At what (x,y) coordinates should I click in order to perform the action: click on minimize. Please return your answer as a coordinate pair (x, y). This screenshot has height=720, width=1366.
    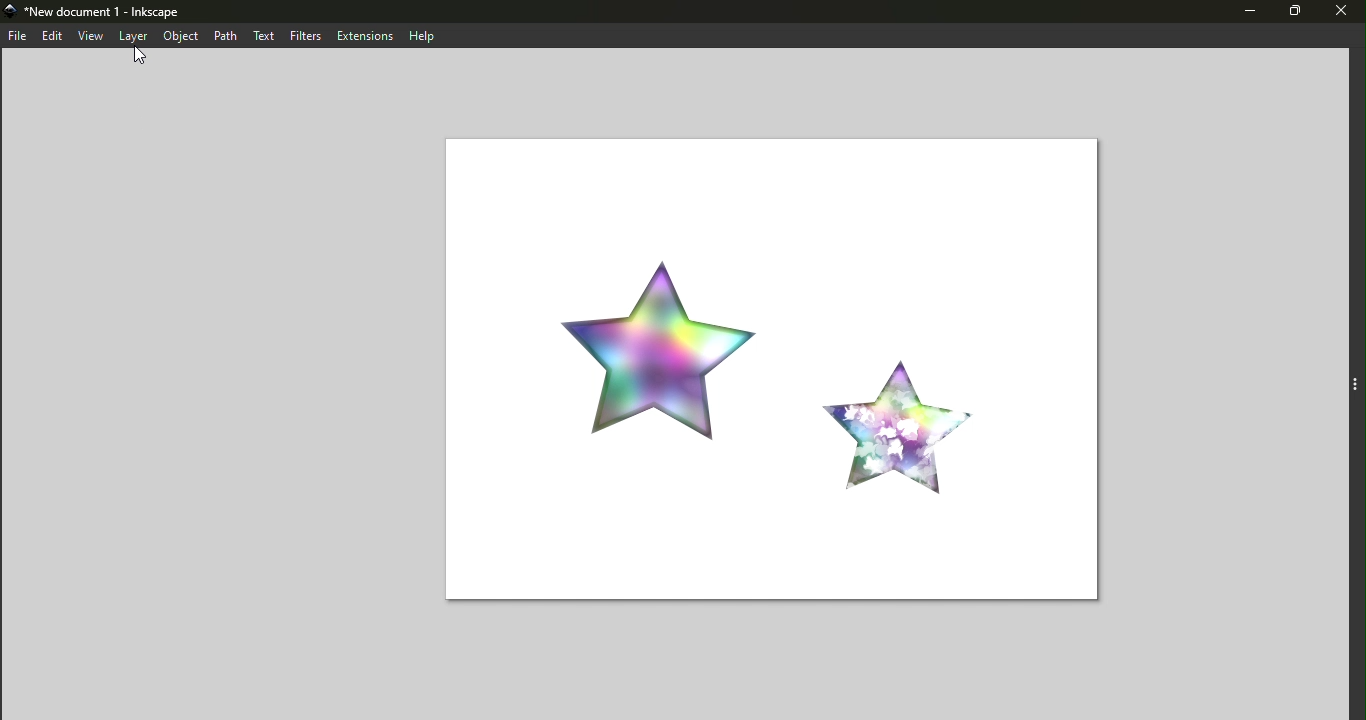
    Looking at the image, I should click on (1249, 12).